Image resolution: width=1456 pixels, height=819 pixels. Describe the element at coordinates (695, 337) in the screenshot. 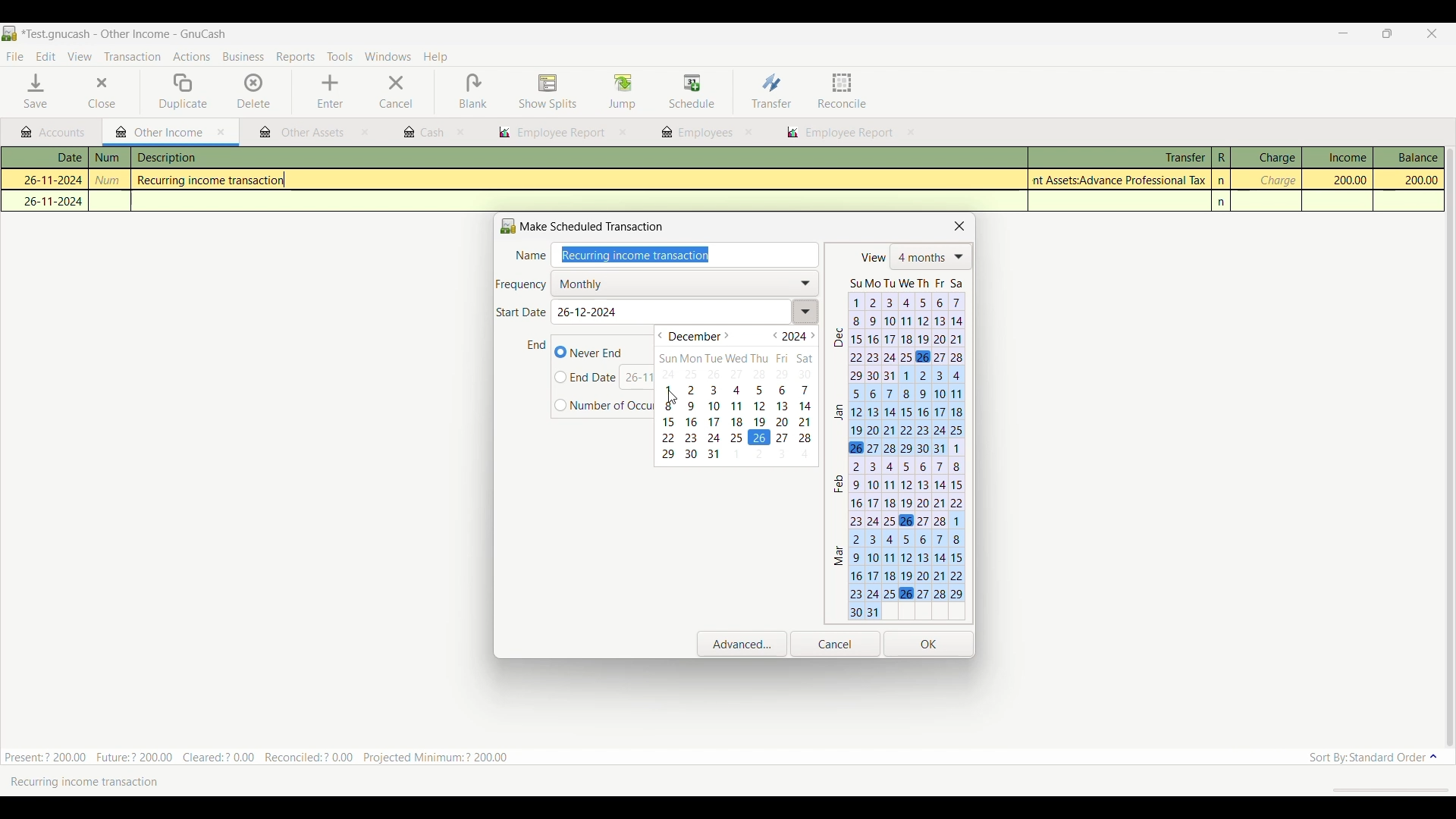

I see `Current month` at that location.